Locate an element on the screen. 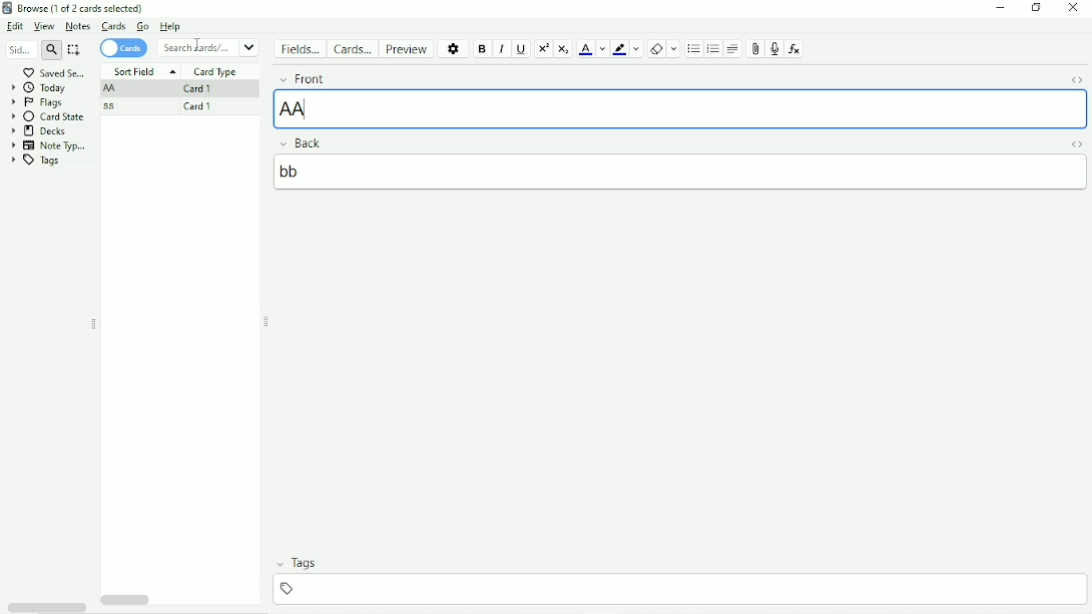 The width and height of the screenshot is (1092, 614). Attach picture/audio/video is located at coordinates (755, 48).